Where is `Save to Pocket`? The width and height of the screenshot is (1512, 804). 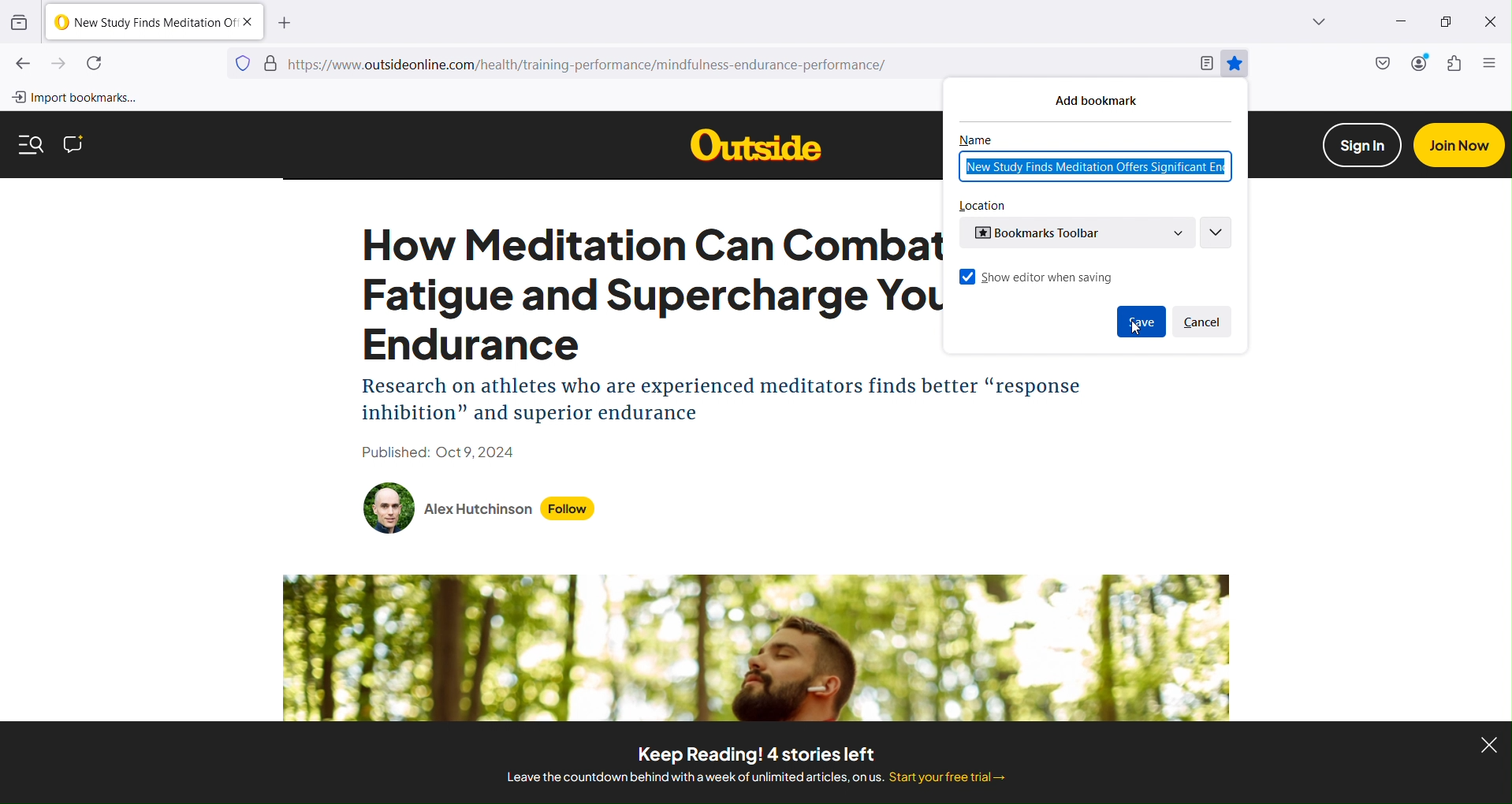 Save to Pocket is located at coordinates (1380, 65).